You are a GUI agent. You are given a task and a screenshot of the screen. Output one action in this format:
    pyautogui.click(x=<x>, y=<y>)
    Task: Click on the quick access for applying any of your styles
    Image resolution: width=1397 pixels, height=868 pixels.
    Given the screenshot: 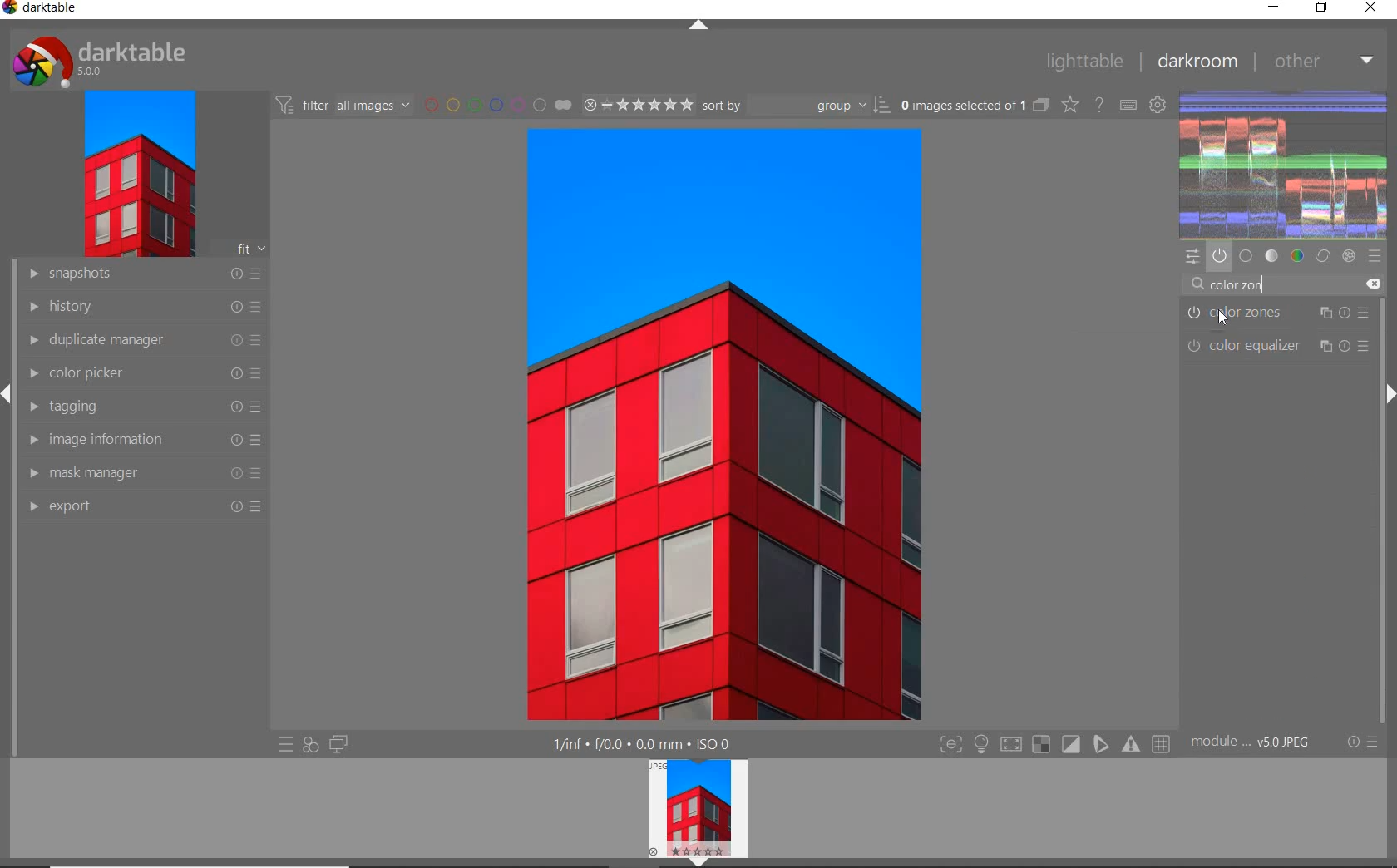 What is the action you would take?
    pyautogui.click(x=311, y=744)
    